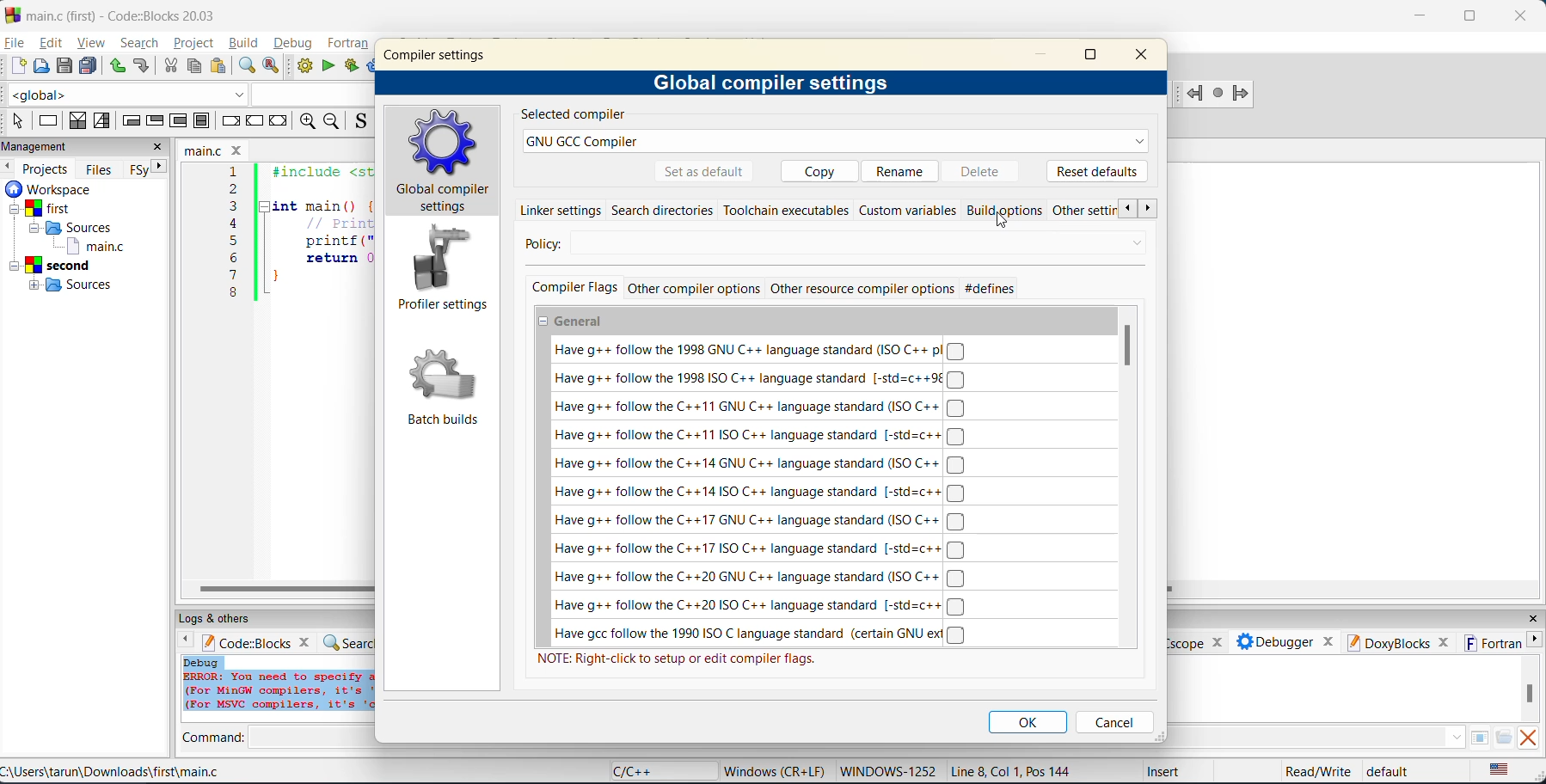 Image resolution: width=1546 pixels, height=784 pixels. I want to click on copy, so click(196, 67).